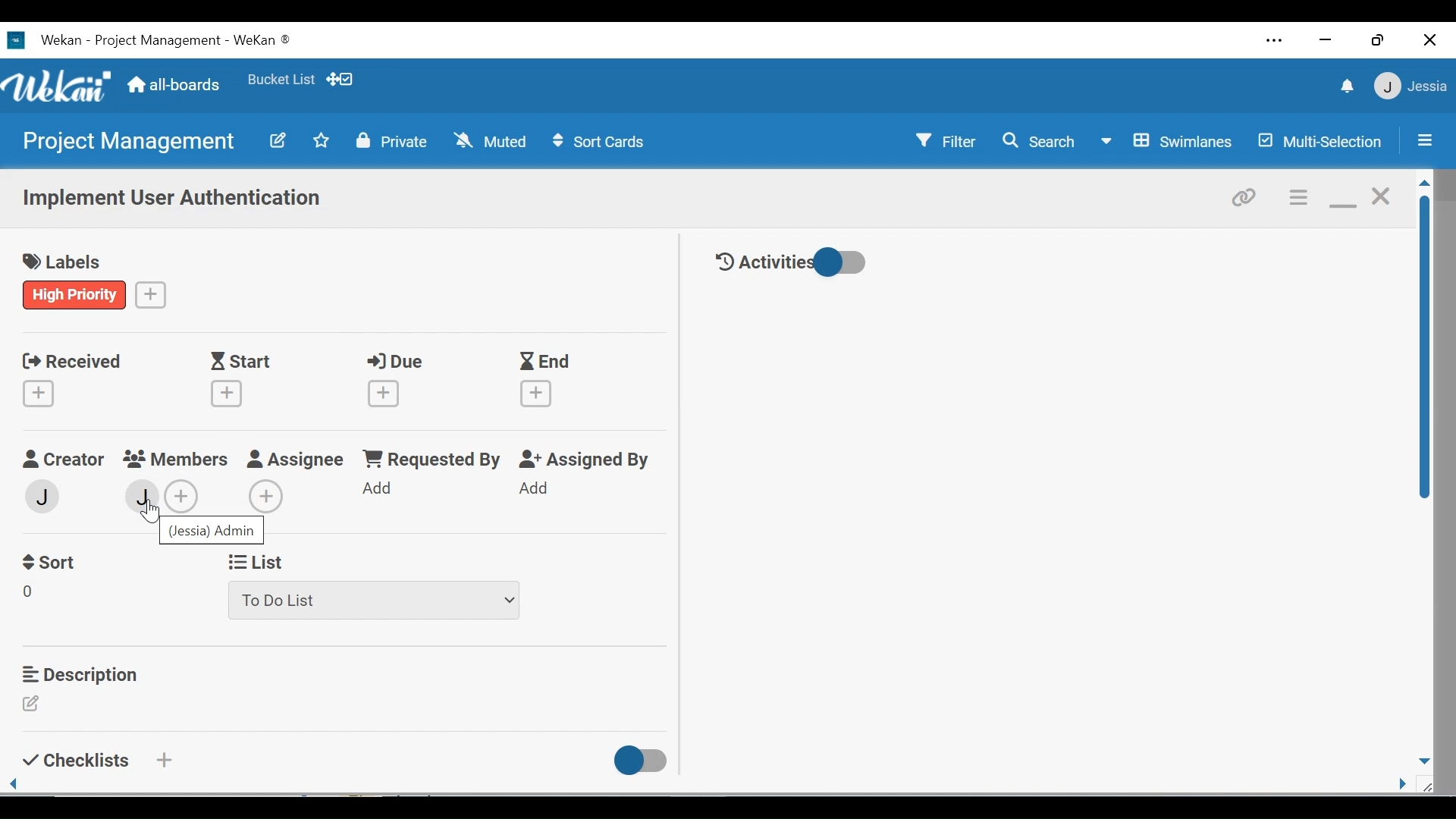  What do you see at coordinates (392, 141) in the screenshot?
I see `Private` at bounding box center [392, 141].